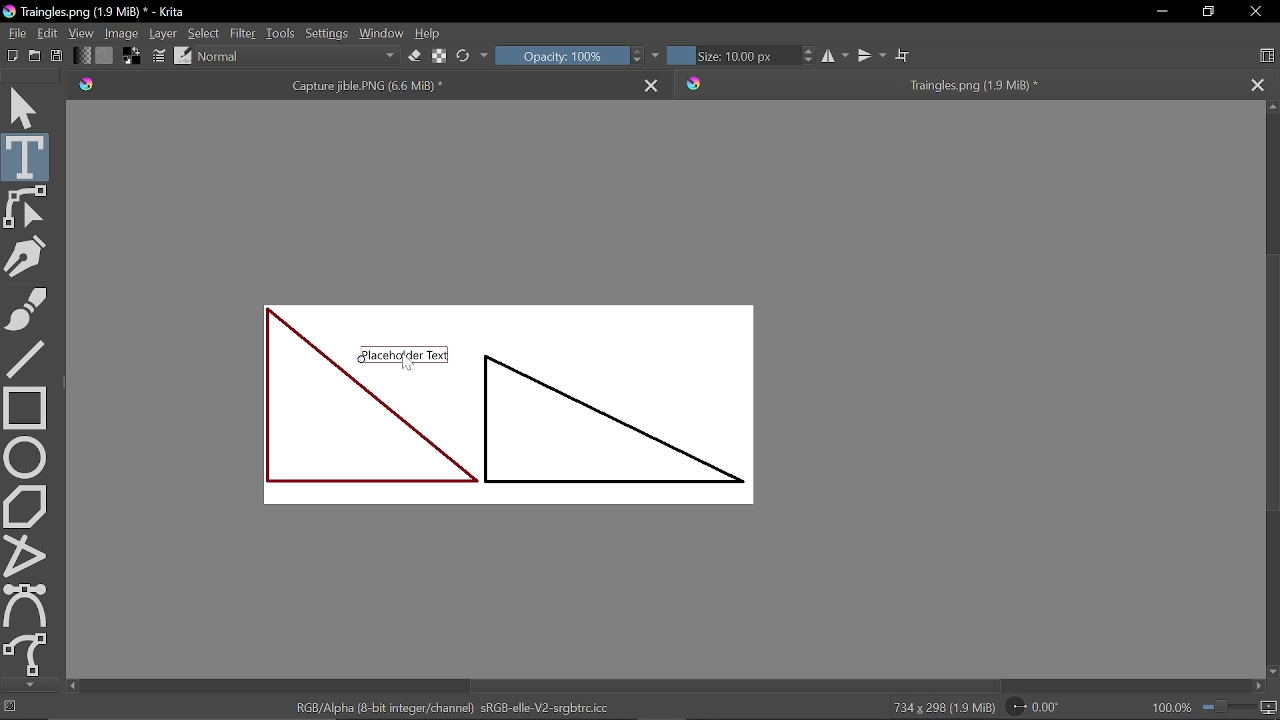 The height and width of the screenshot is (720, 1280). What do you see at coordinates (1158, 12) in the screenshot?
I see `Minimize` at bounding box center [1158, 12].